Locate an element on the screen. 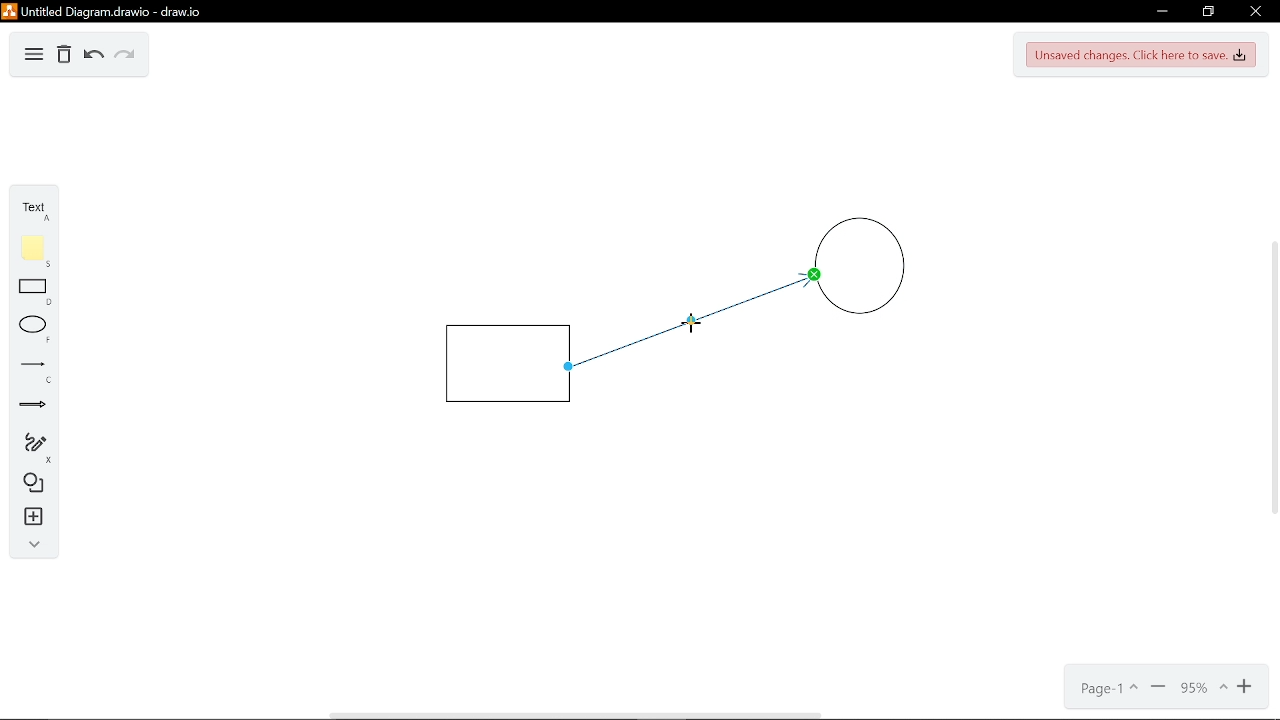 Image resolution: width=1280 pixels, height=720 pixels. Rectangle is located at coordinates (29, 292).